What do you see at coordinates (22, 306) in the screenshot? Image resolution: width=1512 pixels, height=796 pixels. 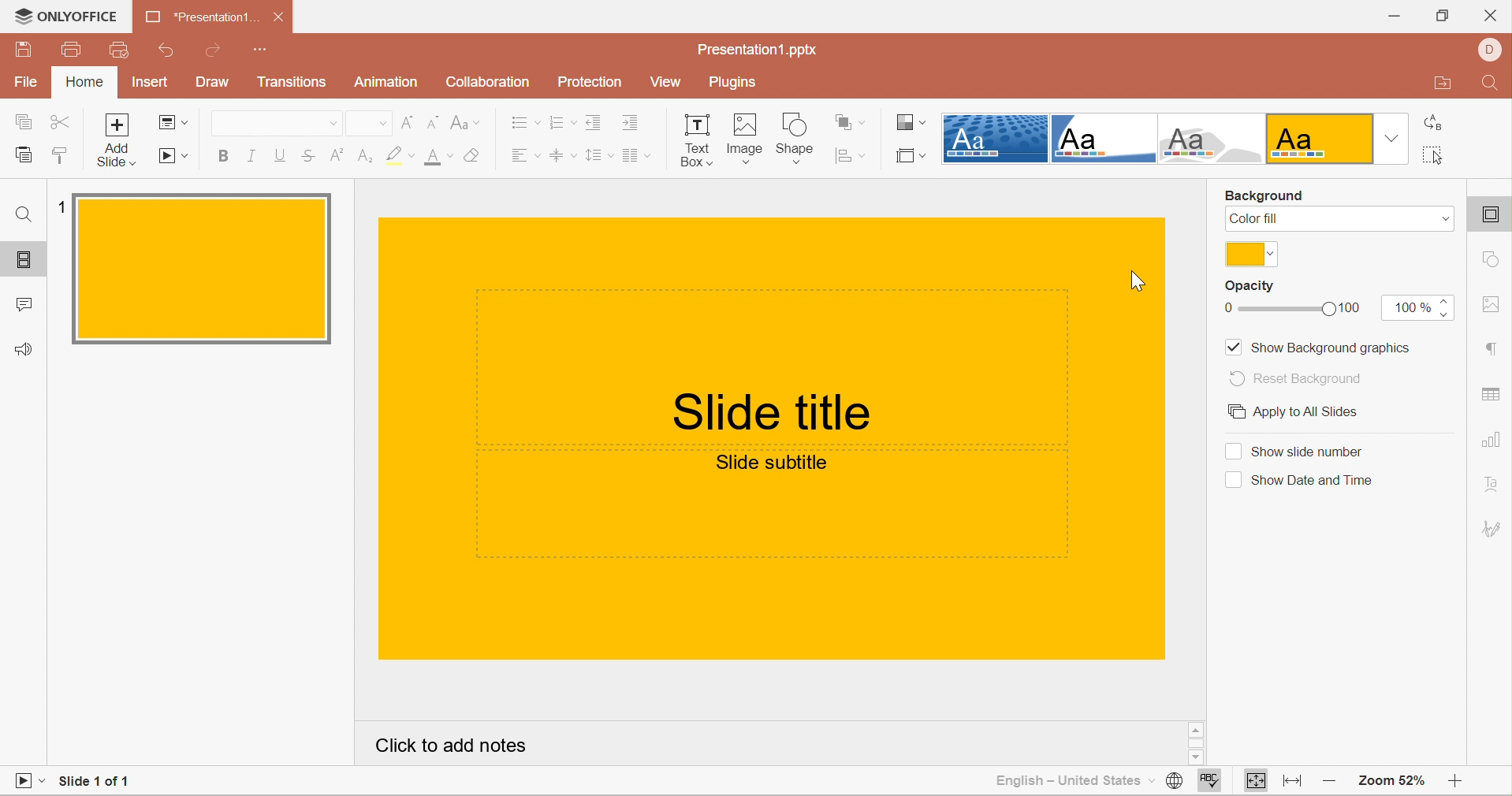 I see `Comments` at bounding box center [22, 306].